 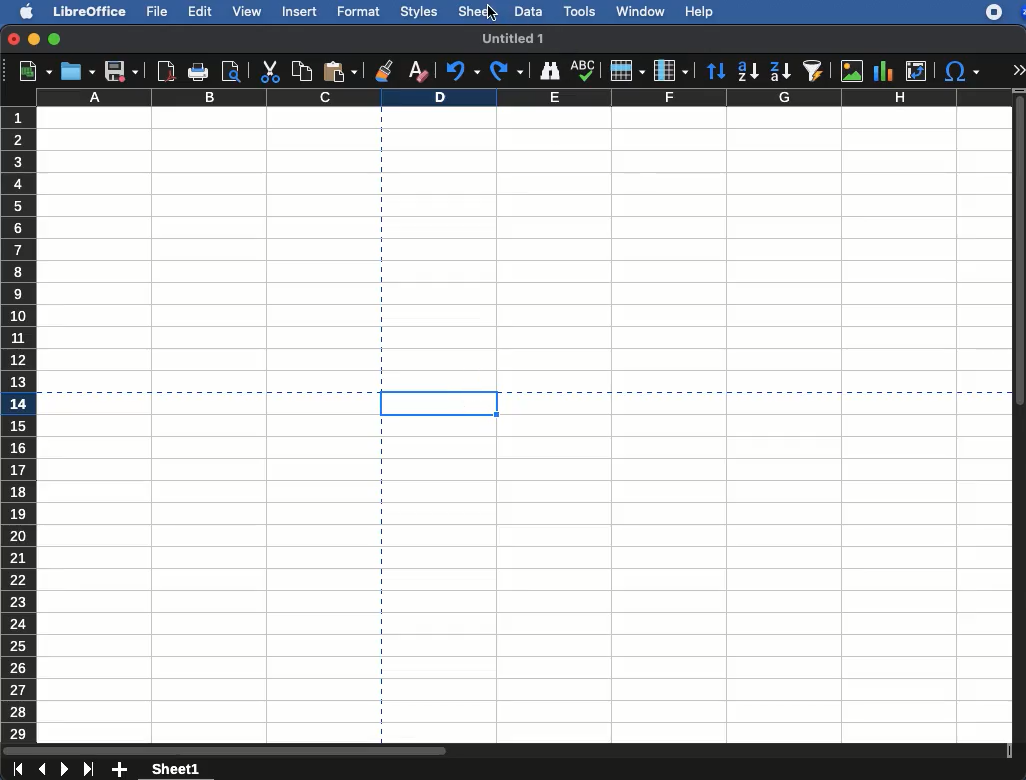 What do you see at coordinates (1020, 69) in the screenshot?
I see `expand` at bounding box center [1020, 69].